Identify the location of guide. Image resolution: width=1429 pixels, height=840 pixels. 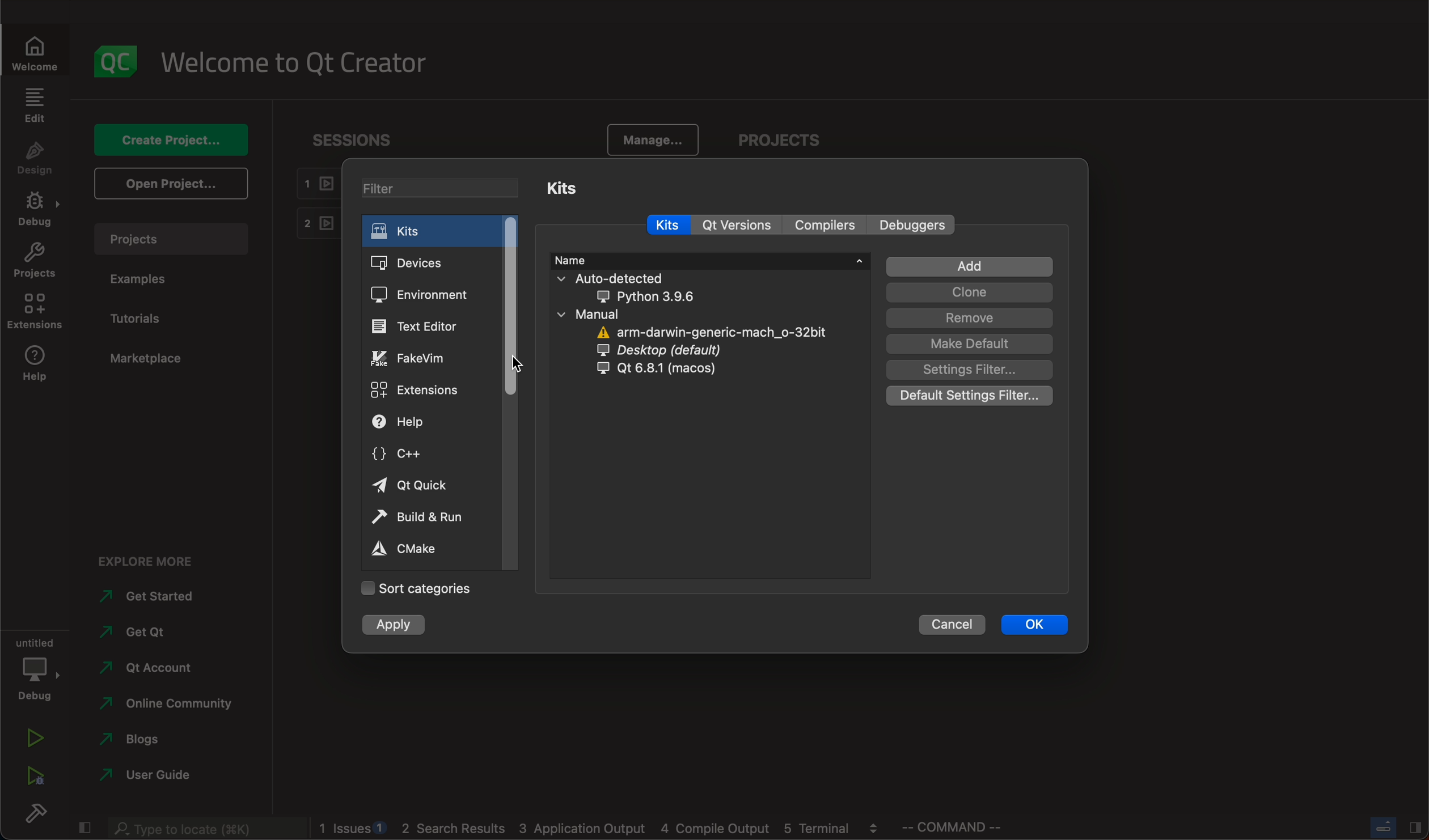
(146, 777).